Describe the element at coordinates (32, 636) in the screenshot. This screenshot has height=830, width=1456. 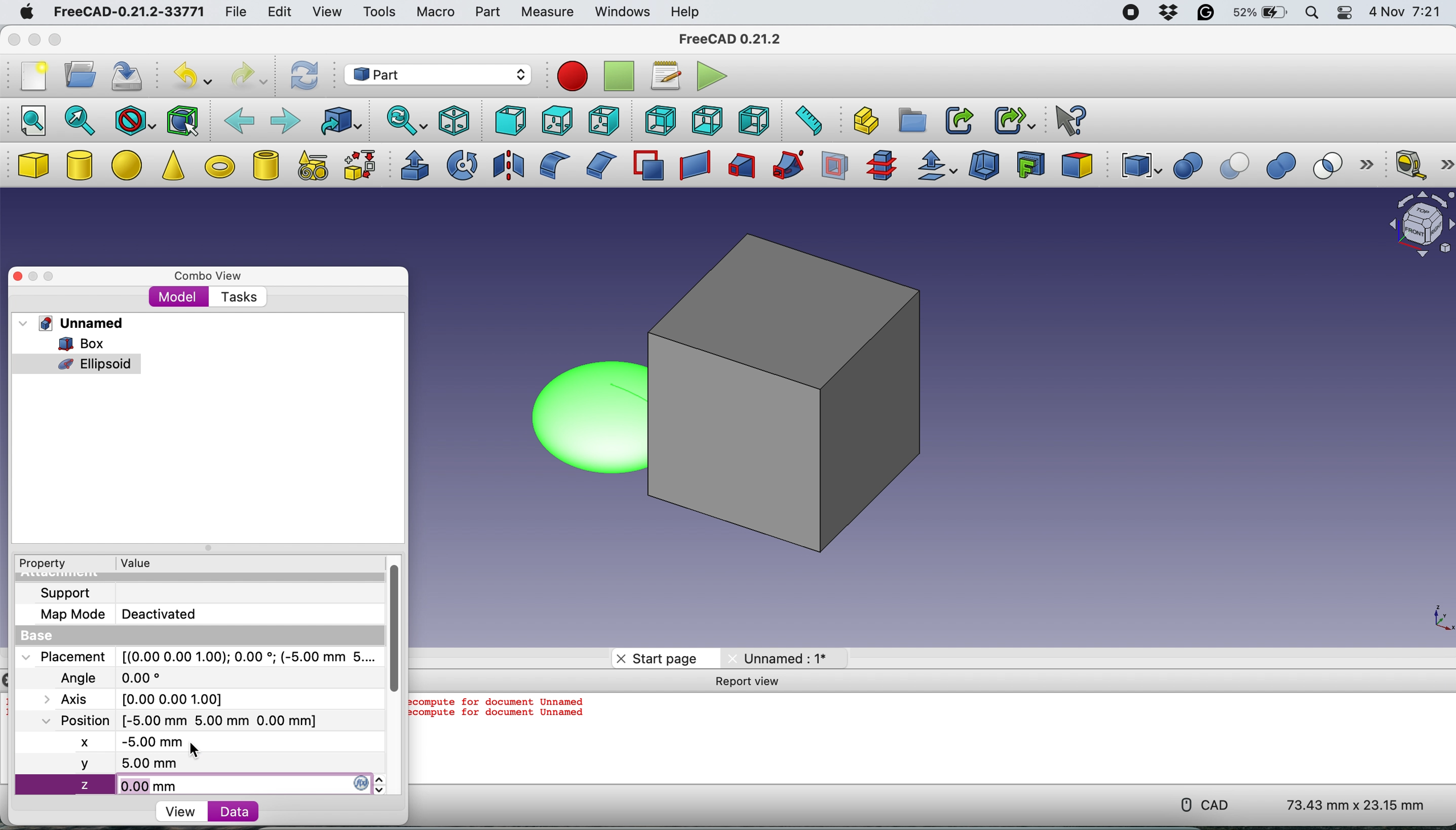
I see `base` at that location.